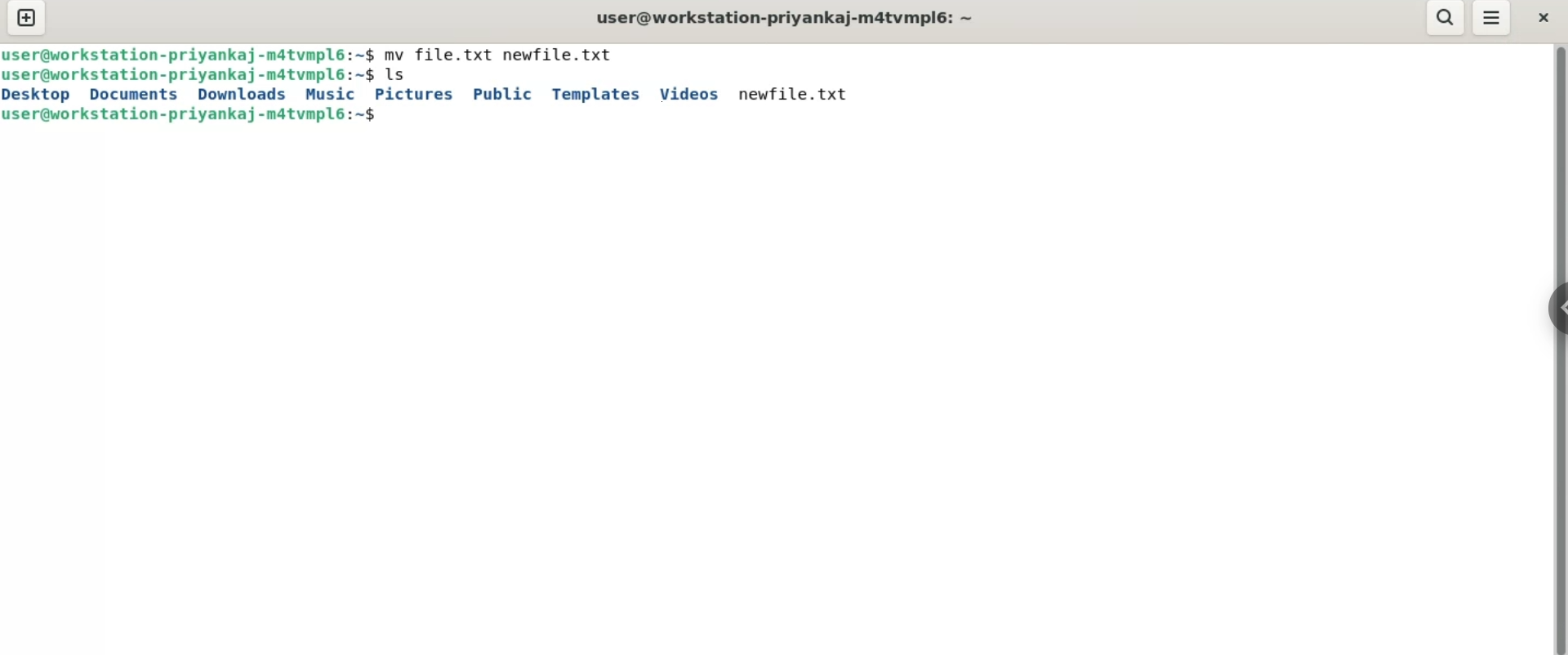  What do you see at coordinates (796, 94) in the screenshot?
I see `newfil.txt` at bounding box center [796, 94].